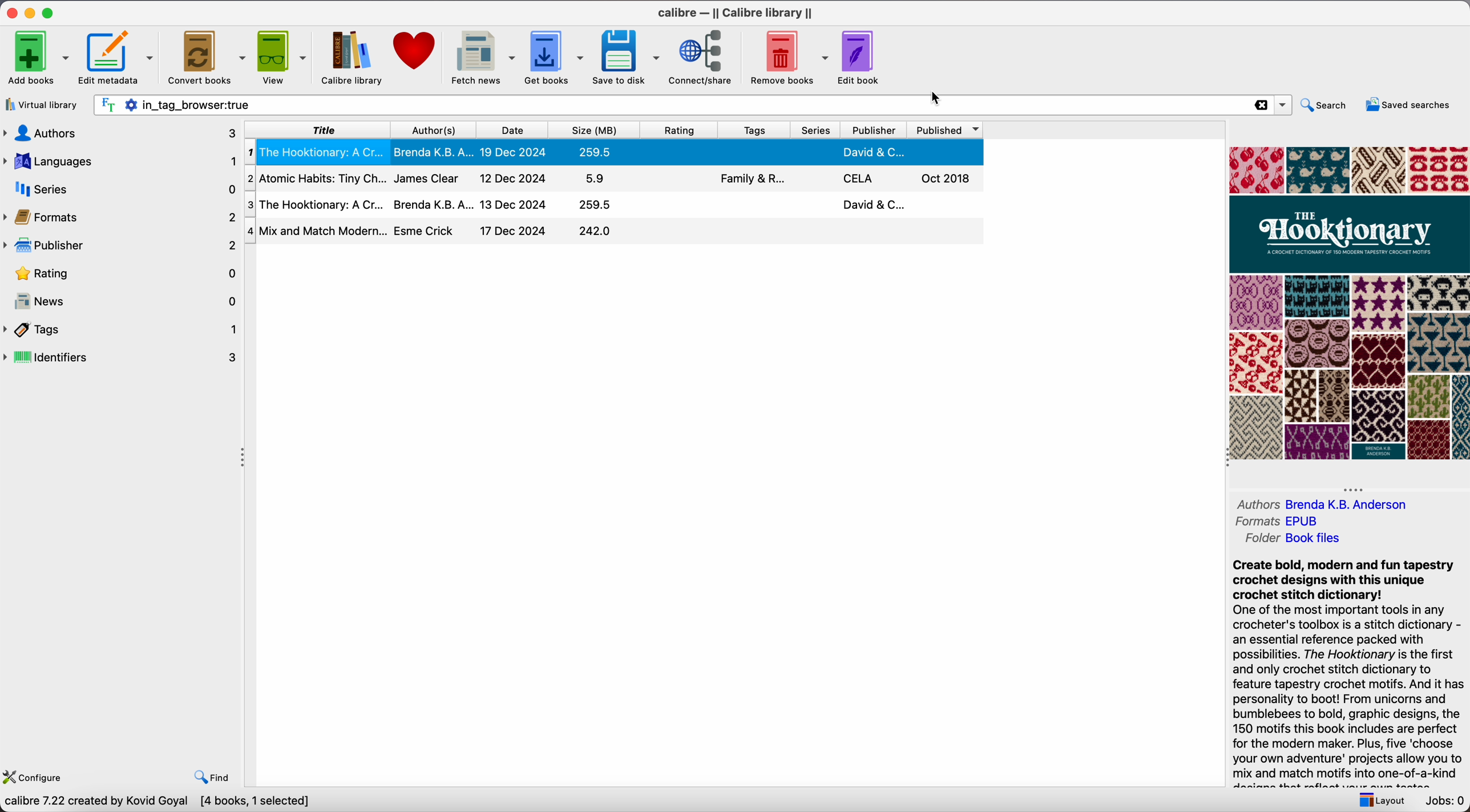  I want to click on 19 Dec 2024, so click(511, 152).